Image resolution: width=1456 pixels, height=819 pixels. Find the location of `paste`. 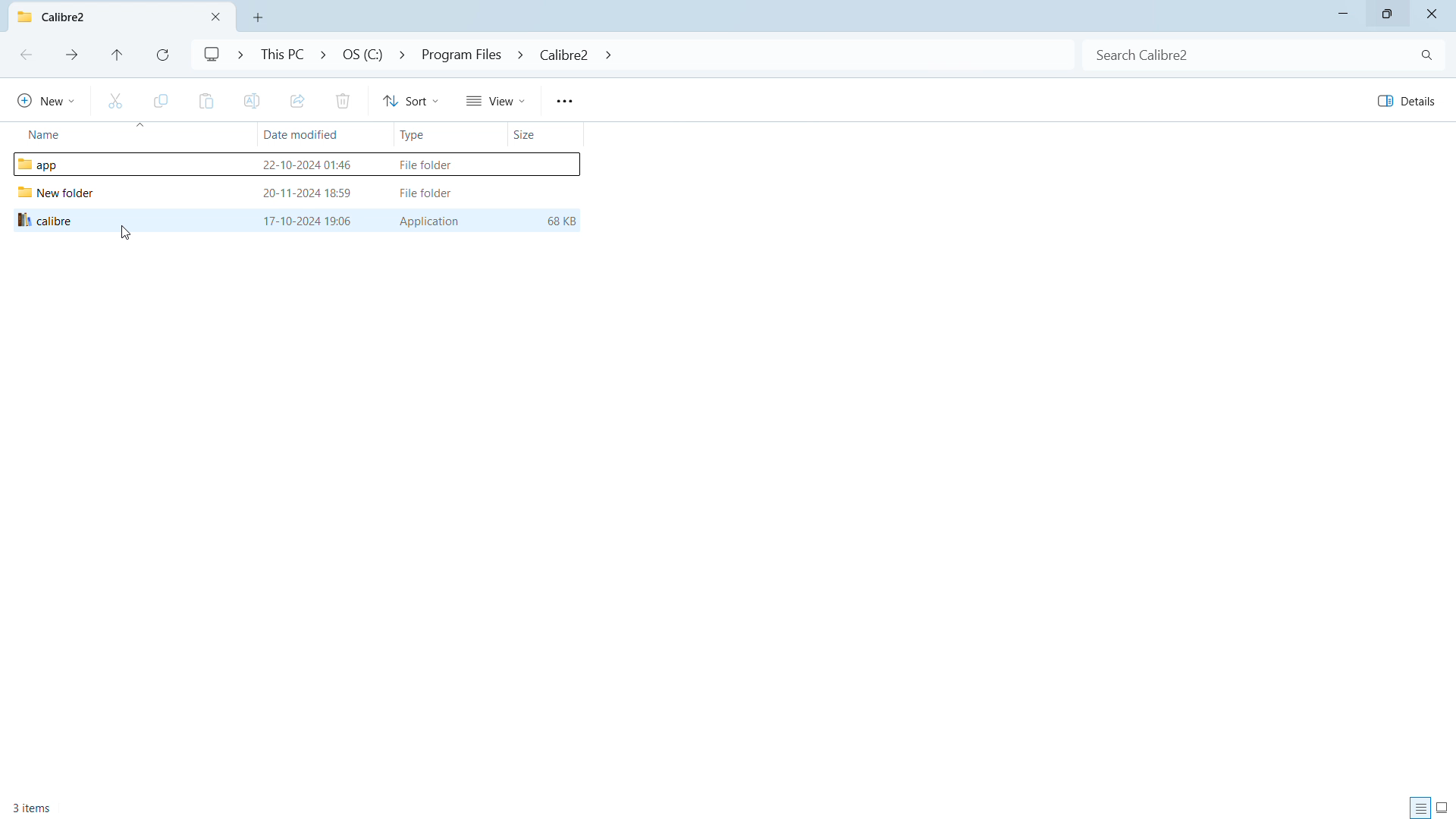

paste is located at coordinates (208, 103).